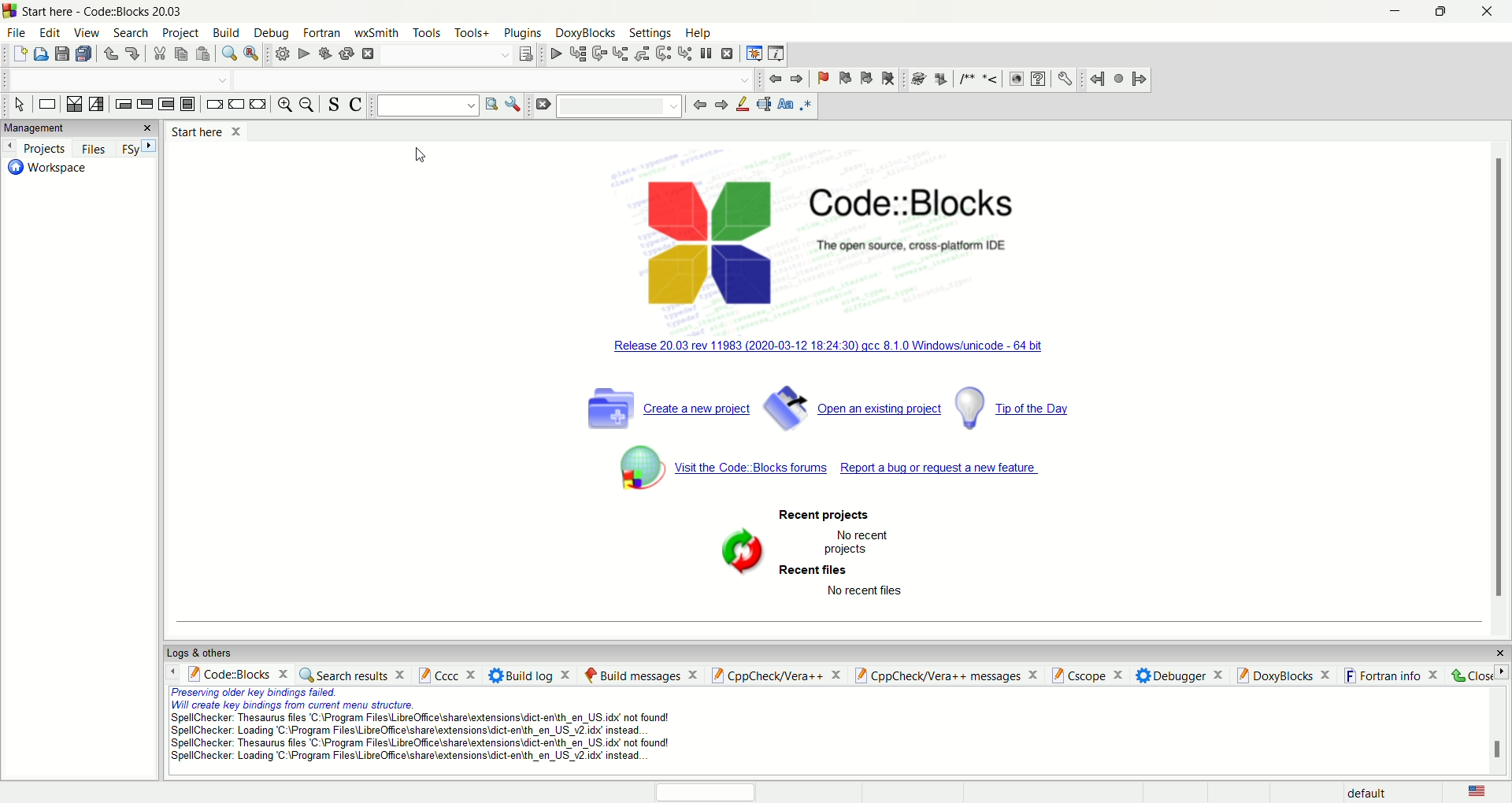  What do you see at coordinates (1021, 409) in the screenshot?
I see `tip of the day` at bounding box center [1021, 409].